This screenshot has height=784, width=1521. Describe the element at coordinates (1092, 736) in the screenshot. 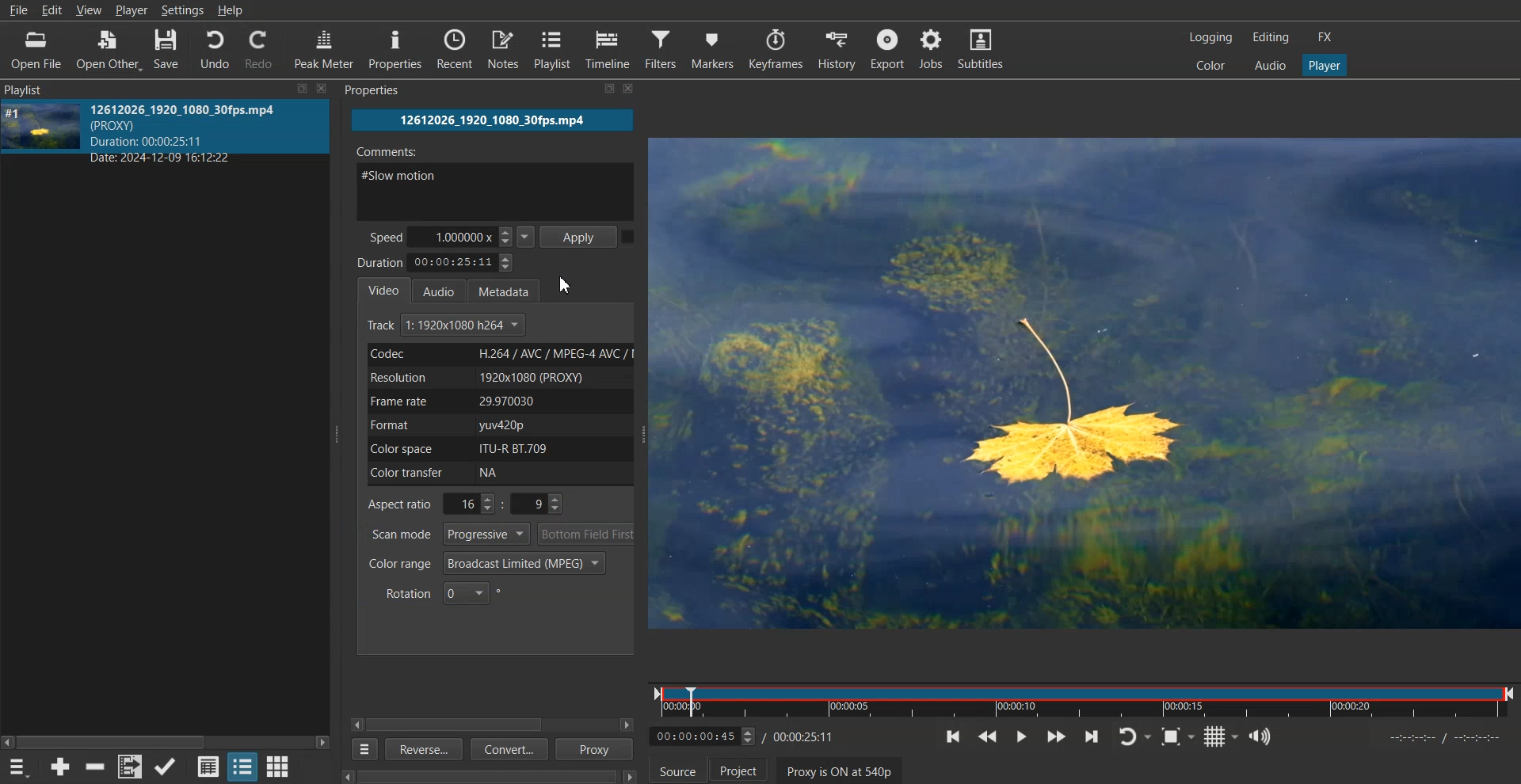

I see `Skip to the next point` at that location.